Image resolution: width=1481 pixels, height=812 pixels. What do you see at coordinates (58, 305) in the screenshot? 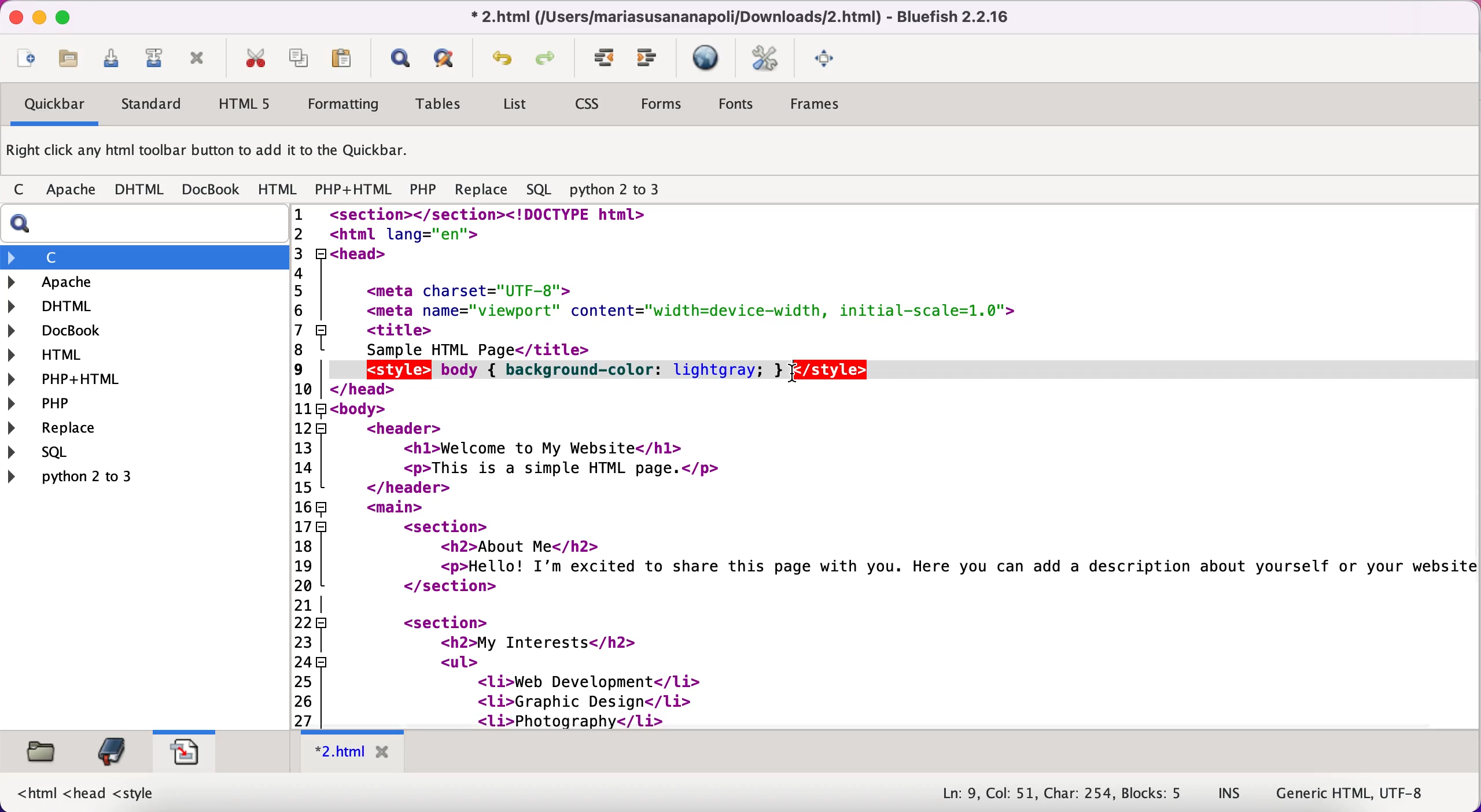
I see `dhtml` at bounding box center [58, 305].